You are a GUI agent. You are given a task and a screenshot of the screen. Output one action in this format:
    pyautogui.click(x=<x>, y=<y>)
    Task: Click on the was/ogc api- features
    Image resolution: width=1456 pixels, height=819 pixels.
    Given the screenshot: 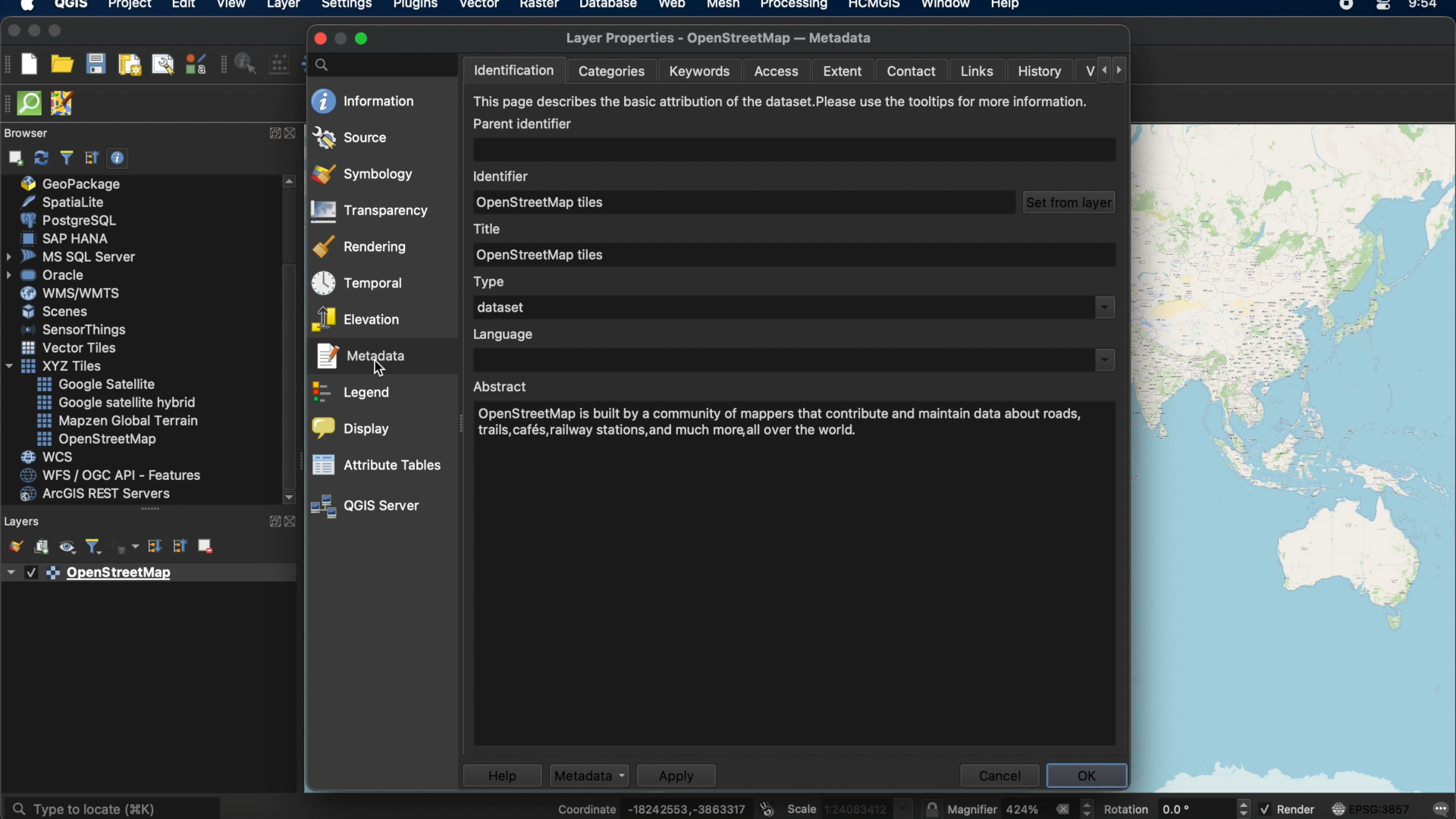 What is the action you would take?
    pyautogui.click(x=111, y=475)
    